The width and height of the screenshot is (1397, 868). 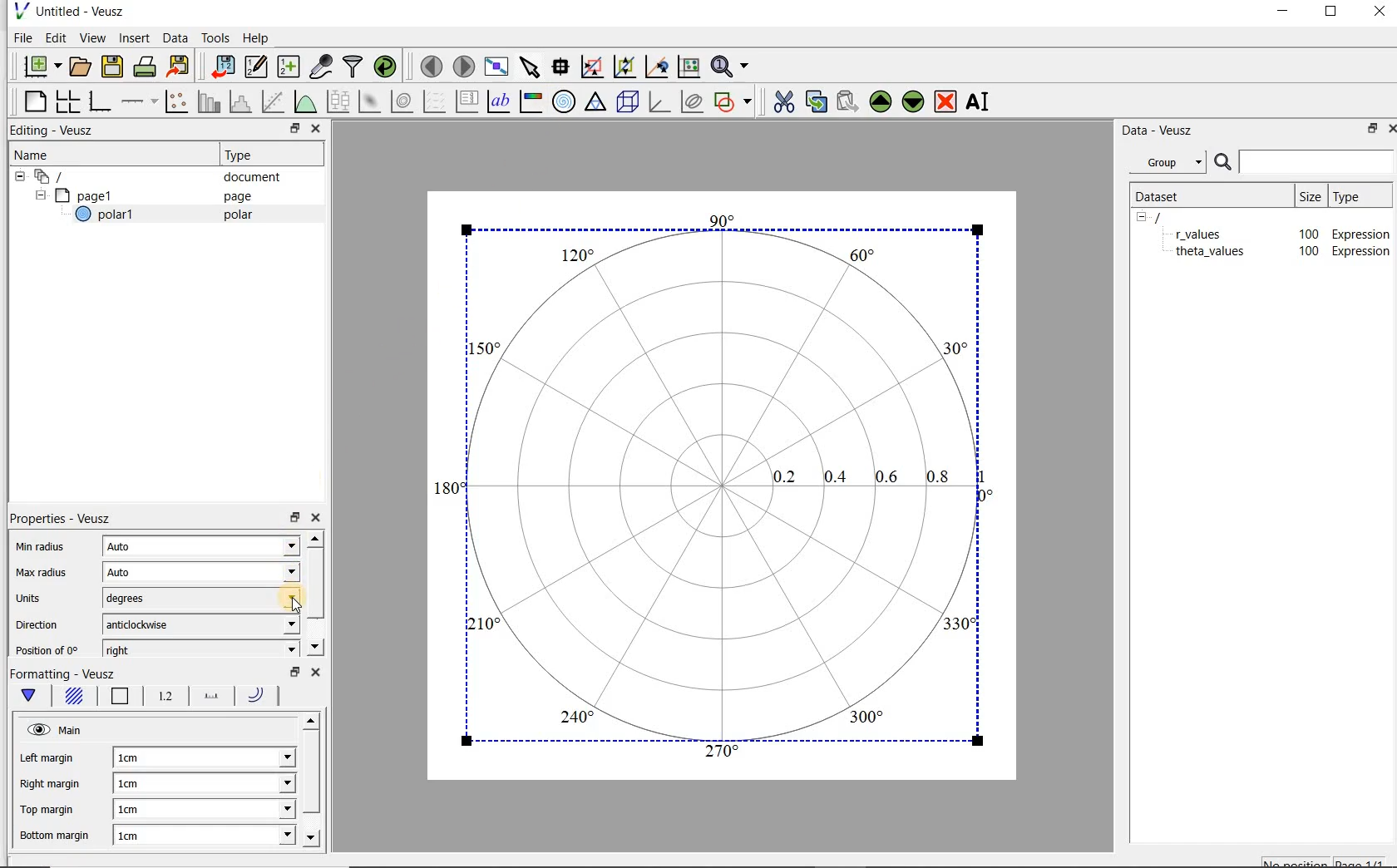 What do you see at coordinates (251, 835) in the screenshot?
I see `Bottom margin dropdown` at bounding box center [251, 835].